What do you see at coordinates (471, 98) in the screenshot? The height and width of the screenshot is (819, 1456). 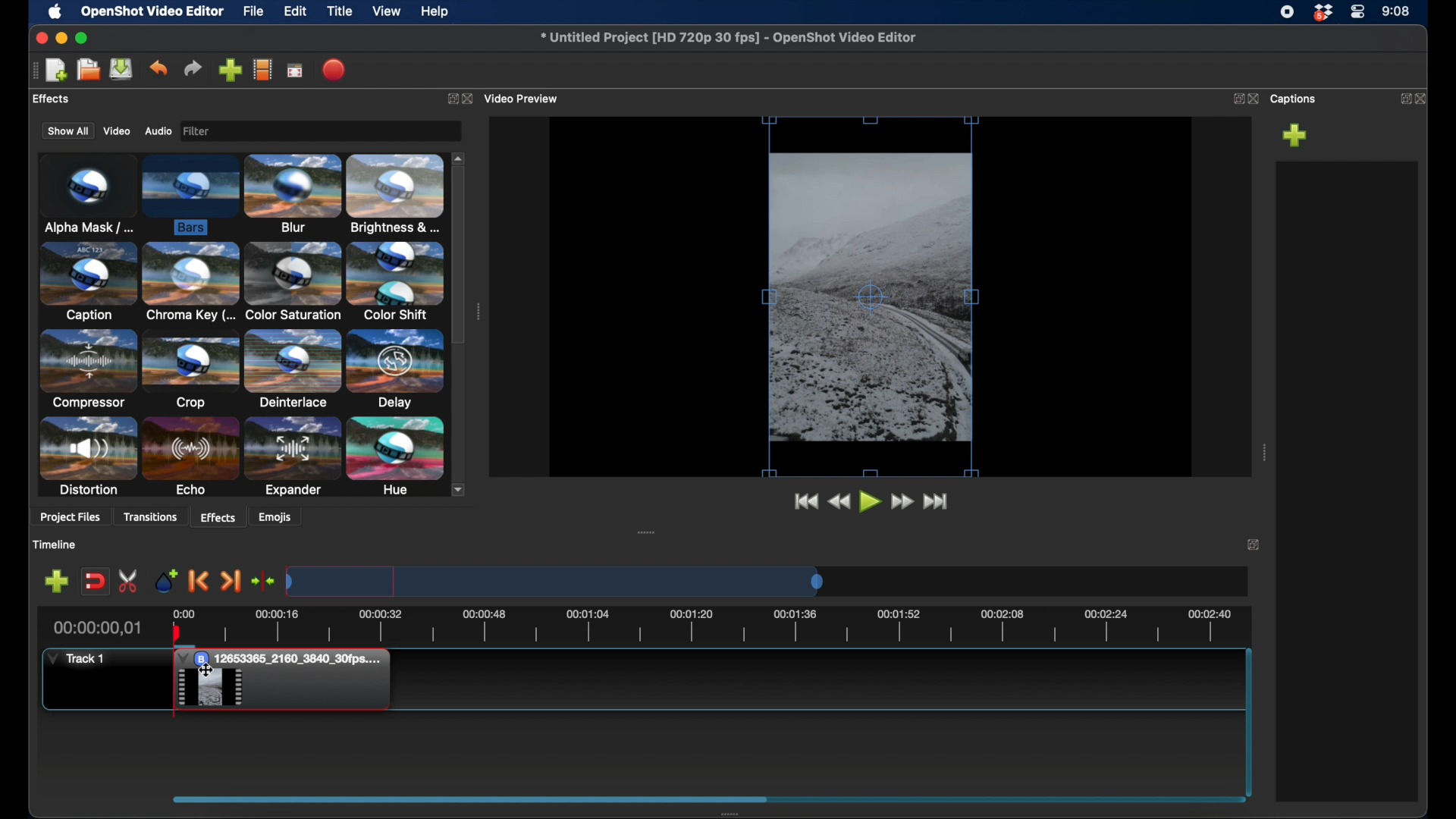 I see `close` at bounding box center [471, 98].